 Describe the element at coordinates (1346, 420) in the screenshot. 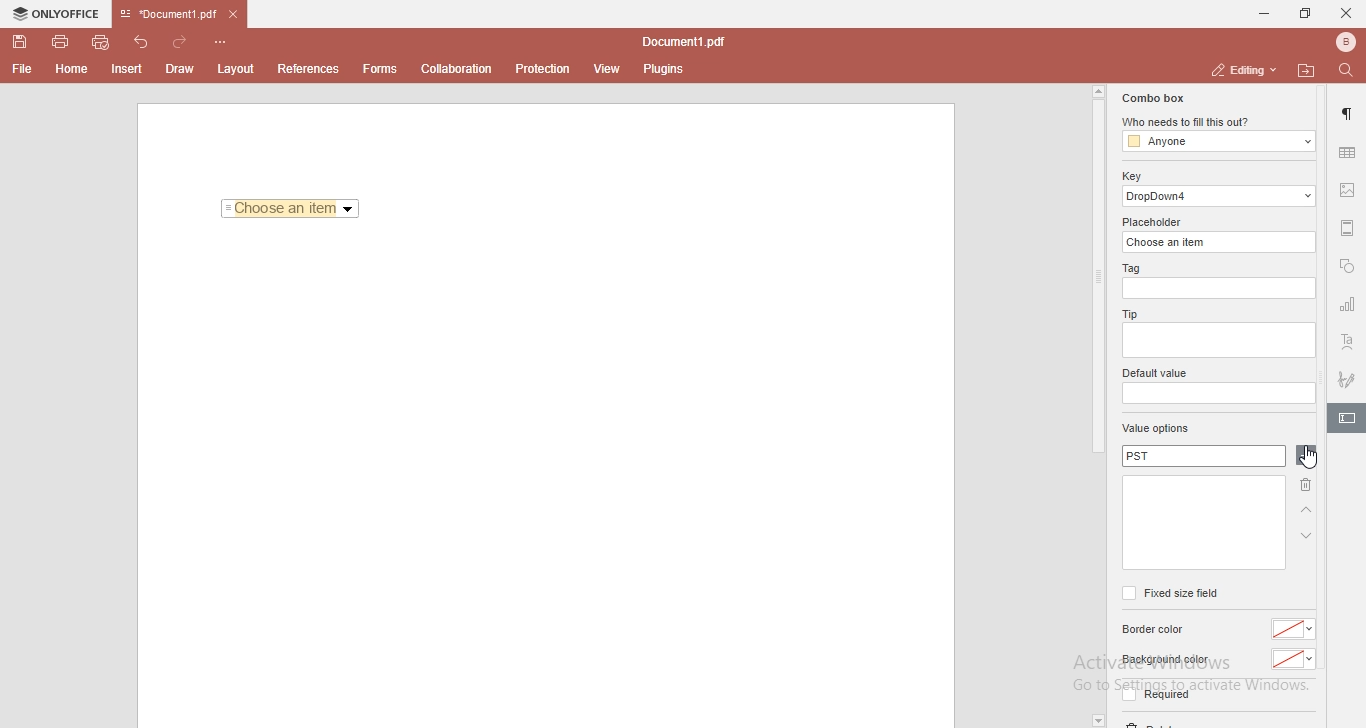

I see `highlighted` at that location.